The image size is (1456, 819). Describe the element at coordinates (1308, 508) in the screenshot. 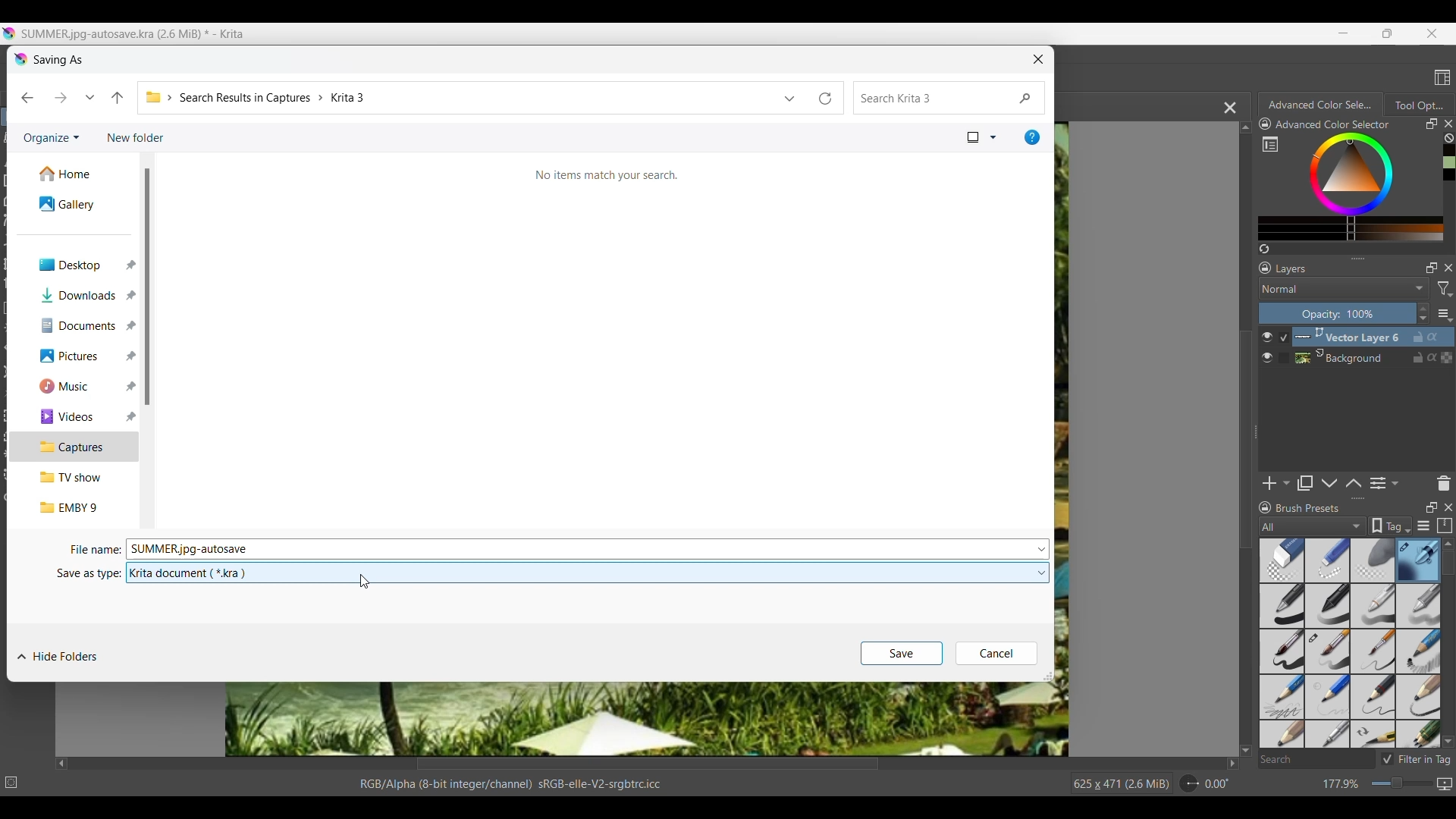

I see `Title of panel` at that location.